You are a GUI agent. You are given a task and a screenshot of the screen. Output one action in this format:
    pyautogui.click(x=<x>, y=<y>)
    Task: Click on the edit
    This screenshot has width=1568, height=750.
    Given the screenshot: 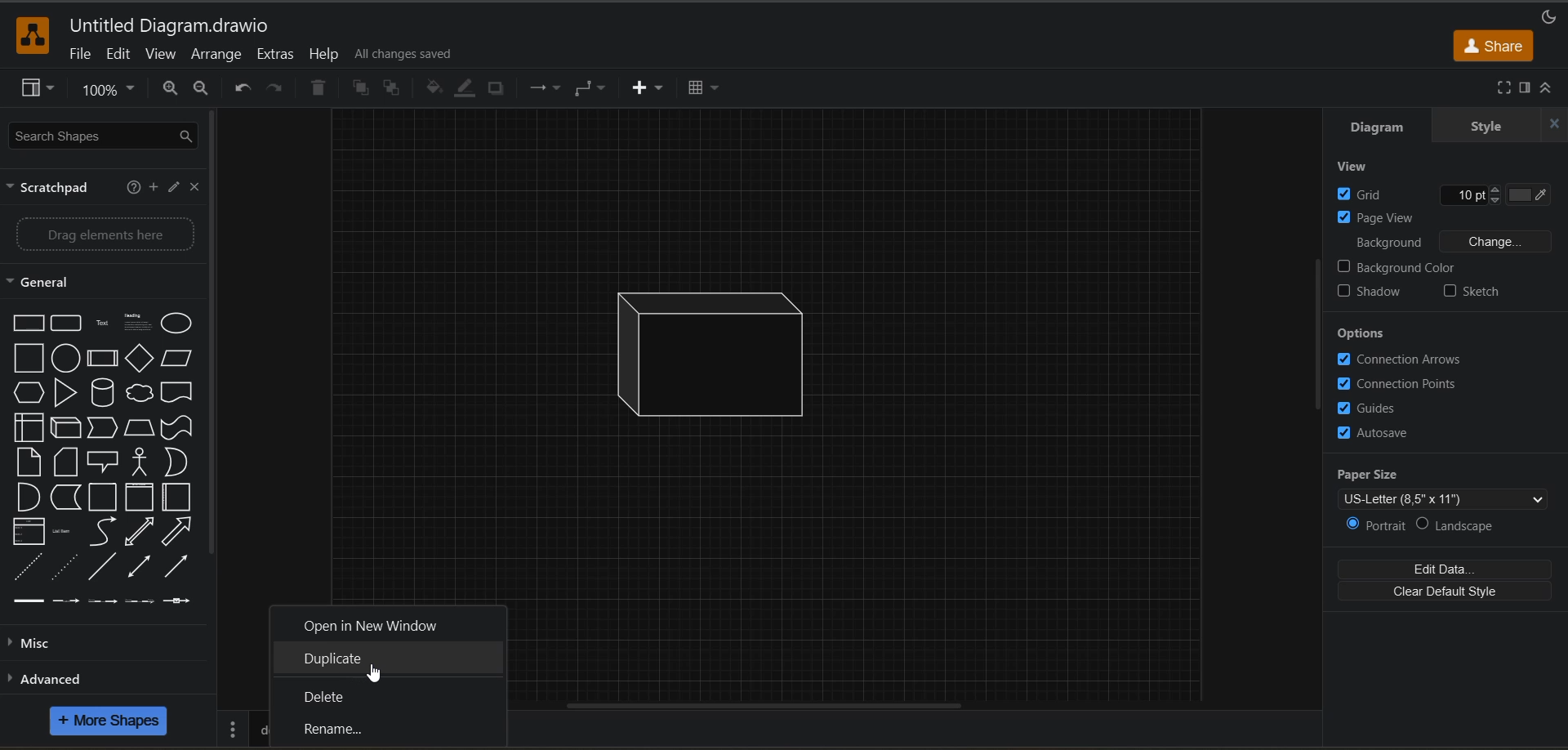 What is the action you would take?
    pyautogui.click(x=171, y=189)
    